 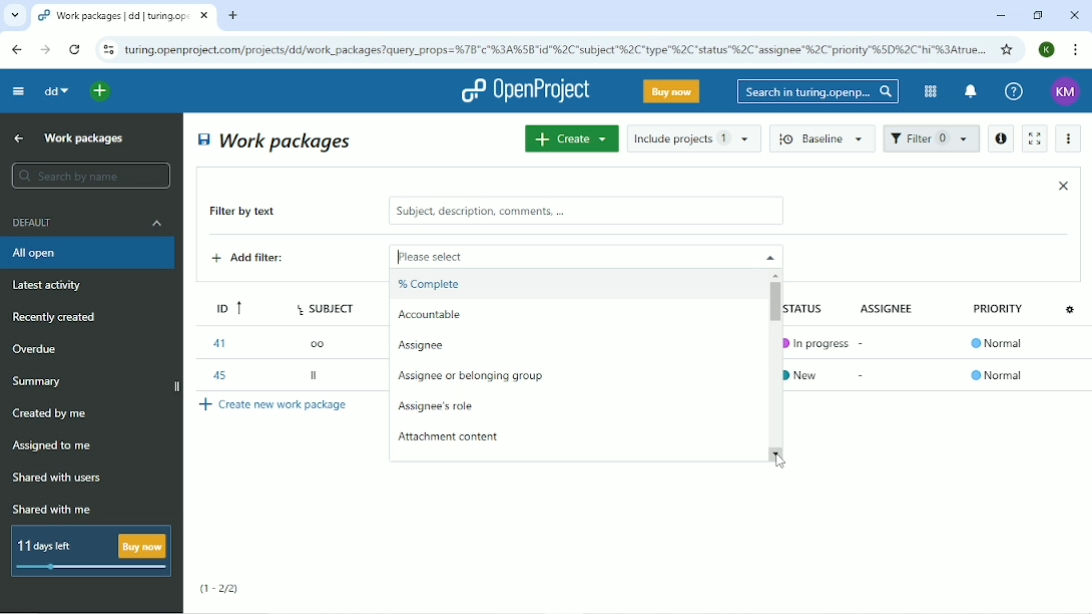 What do you see at coordinates (1000, 139) in the screenshot?
I see `Open details view` at bounding box center [1000, 139].